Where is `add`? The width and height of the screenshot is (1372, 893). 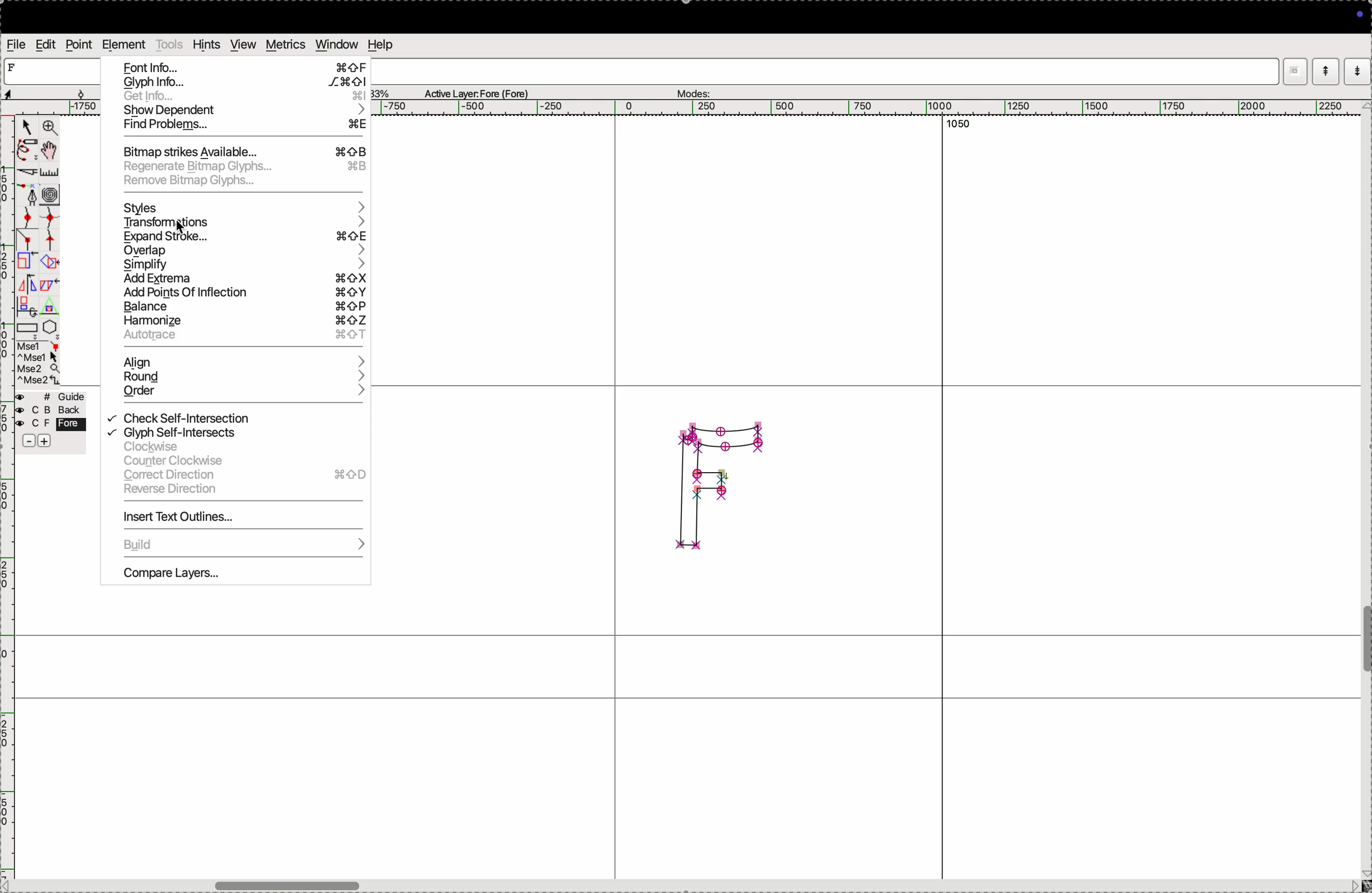 add is located at coordinates (46, 443).